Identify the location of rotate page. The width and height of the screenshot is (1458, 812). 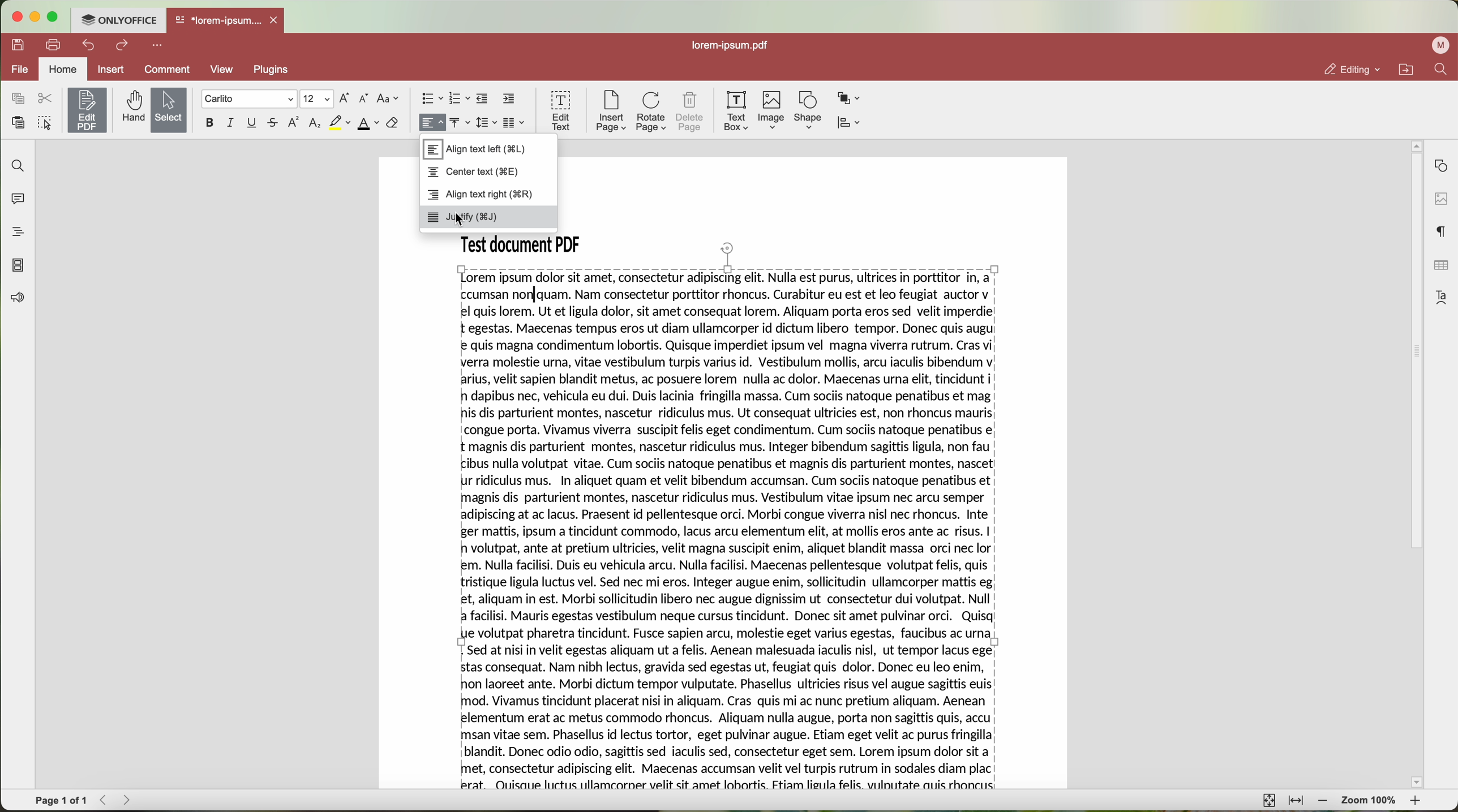
(652, 113).